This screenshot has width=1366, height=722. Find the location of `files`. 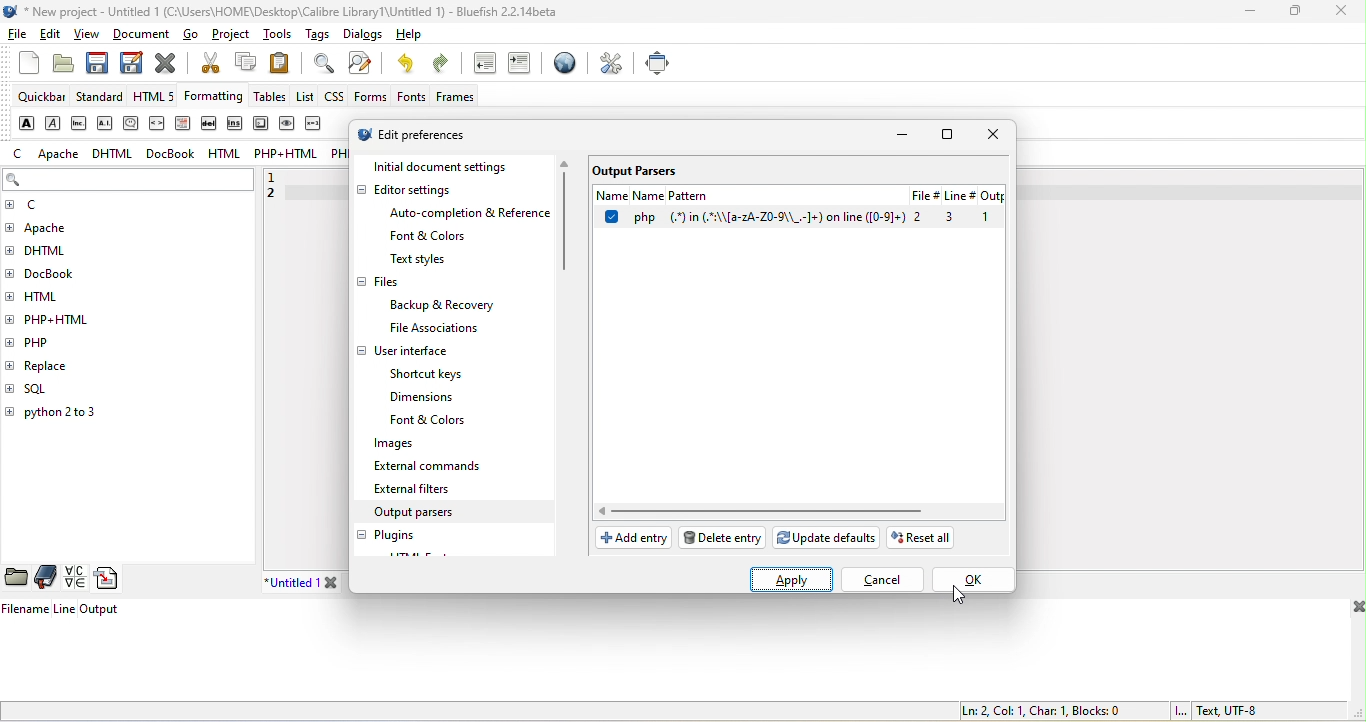

files is located at coordinates (380, 284).